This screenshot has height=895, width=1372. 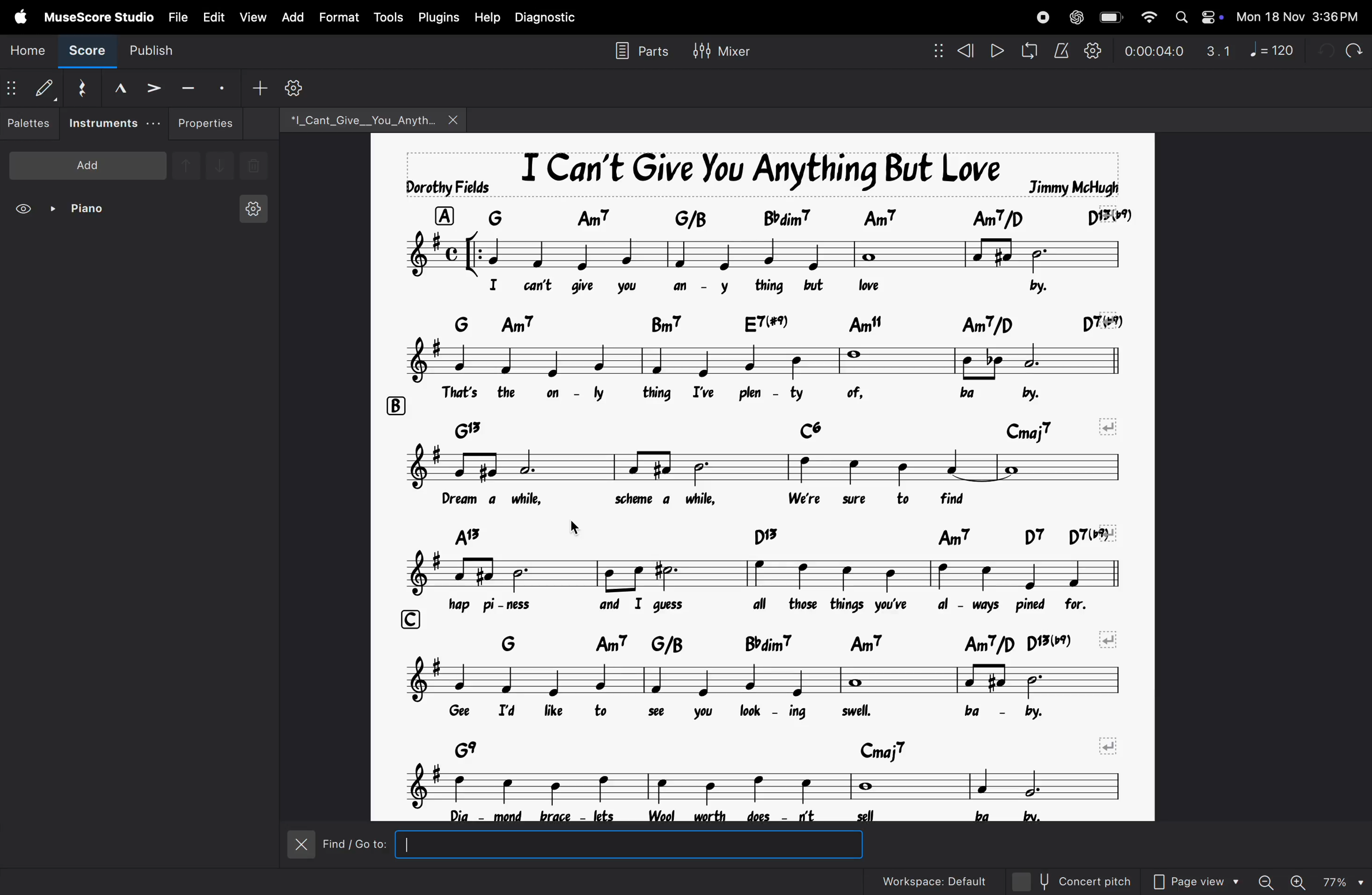 I want to click on palettes, so click(x=31, y=123).